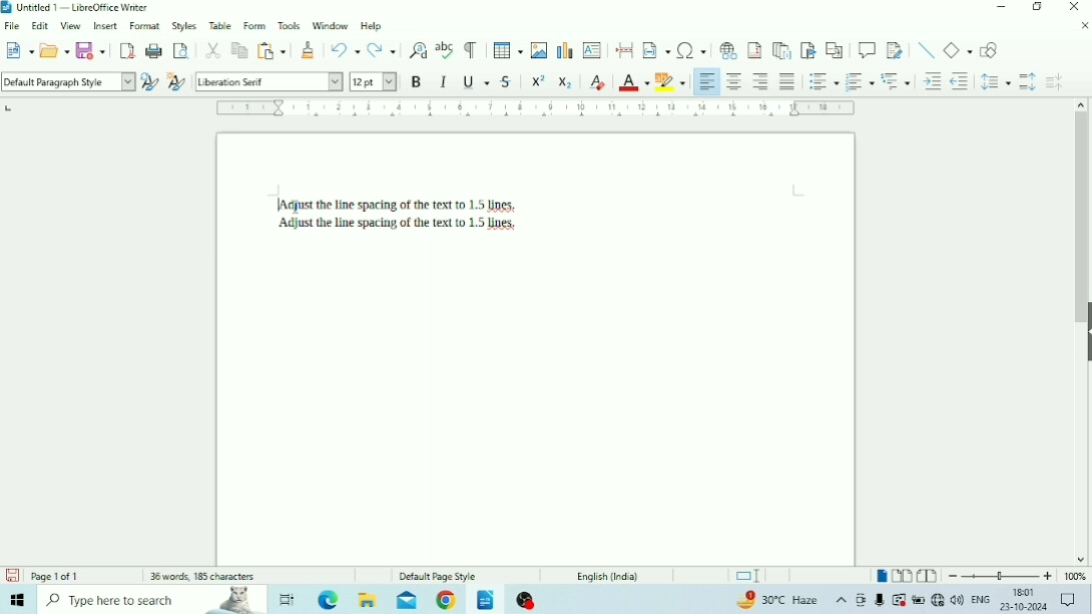 This screenshot has height=614, width=1092. What do you see at coordinates (17, 600) in the screenshot?
I see `Windows` at bounding box center [17, 600].